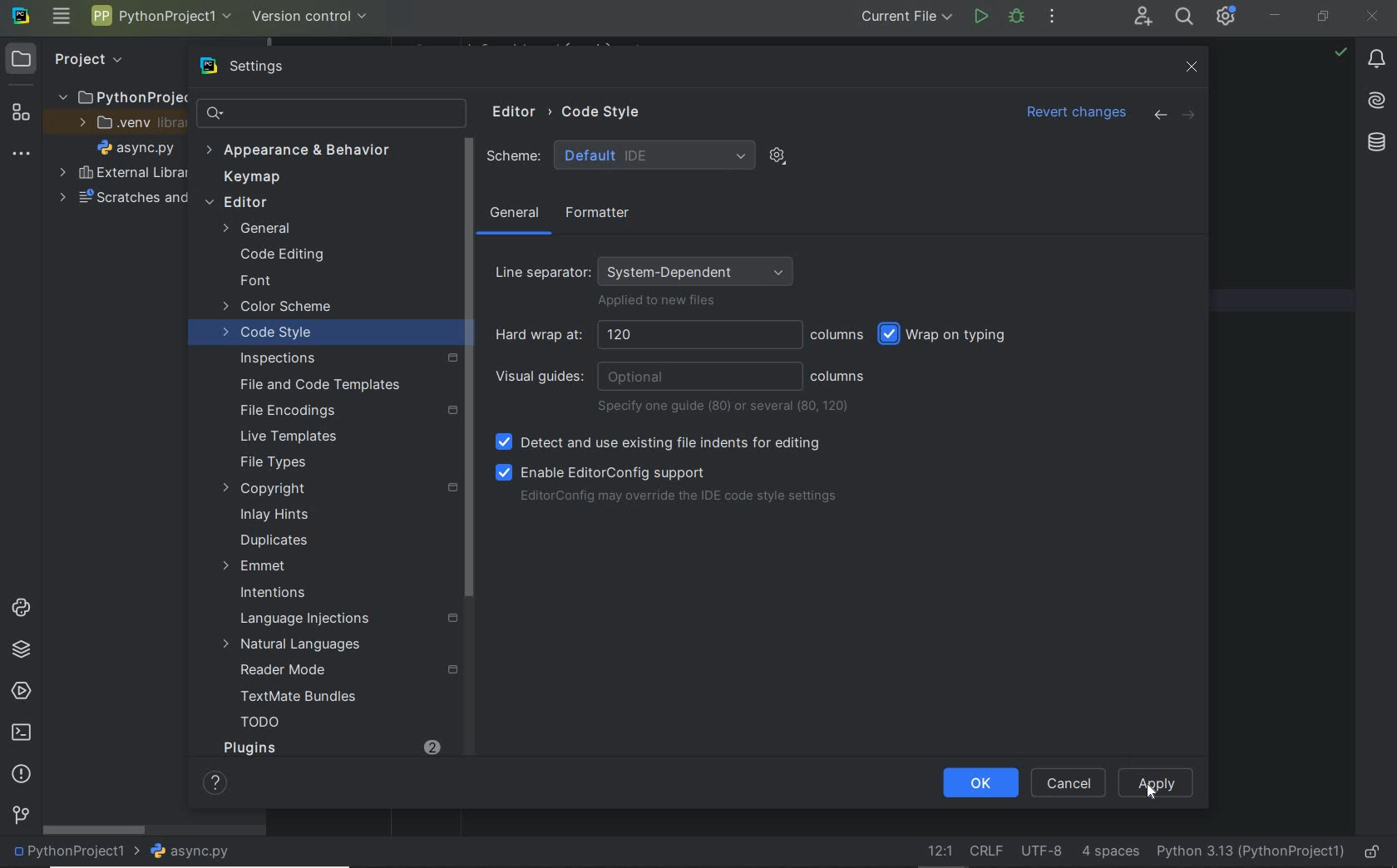 This screenshot has height=868, width=1397. What do you see at coordinates (605, 111) in the screenshot?
I see `Code Style` at bounding box center [605, 111].